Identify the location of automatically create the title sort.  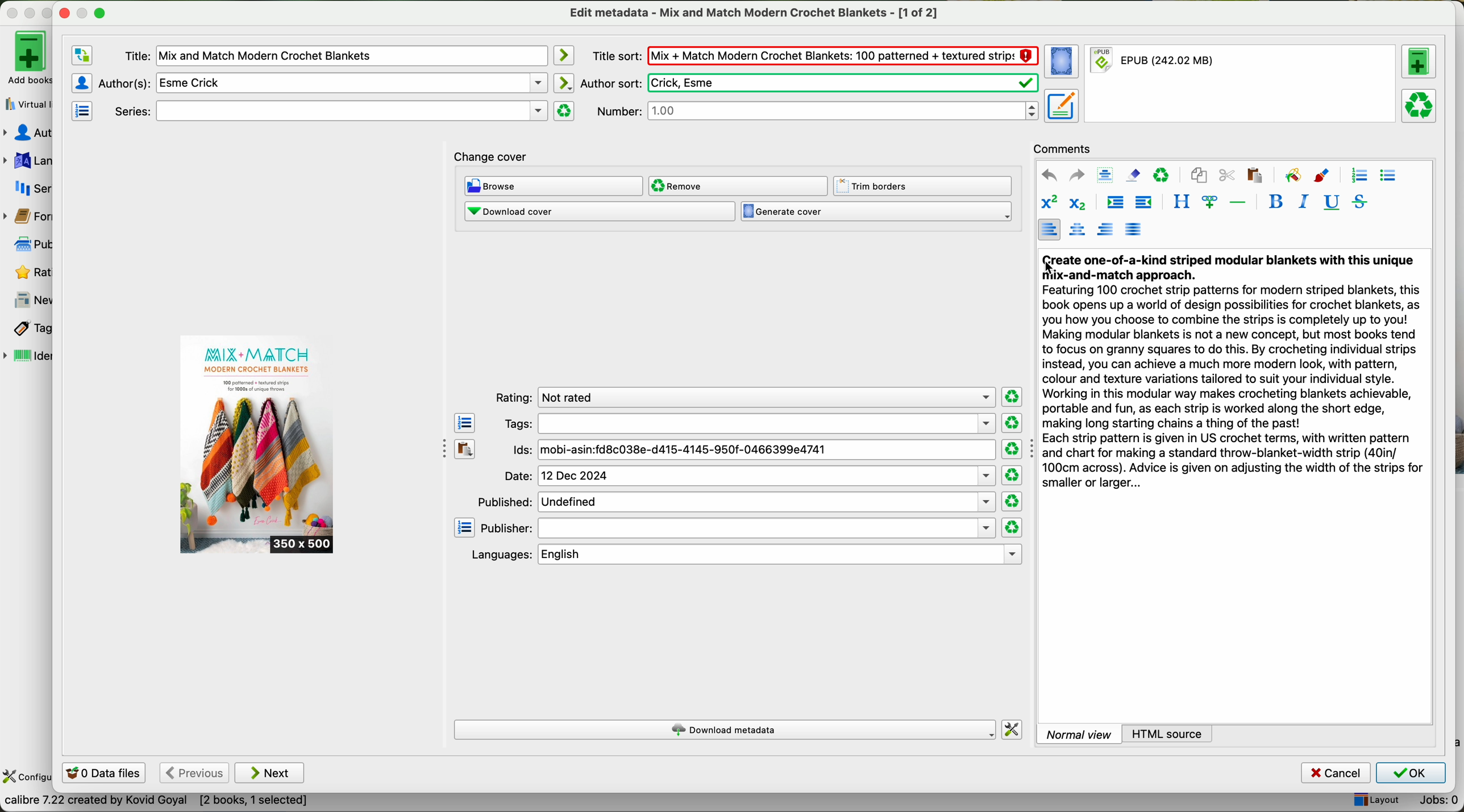
(563, 56).